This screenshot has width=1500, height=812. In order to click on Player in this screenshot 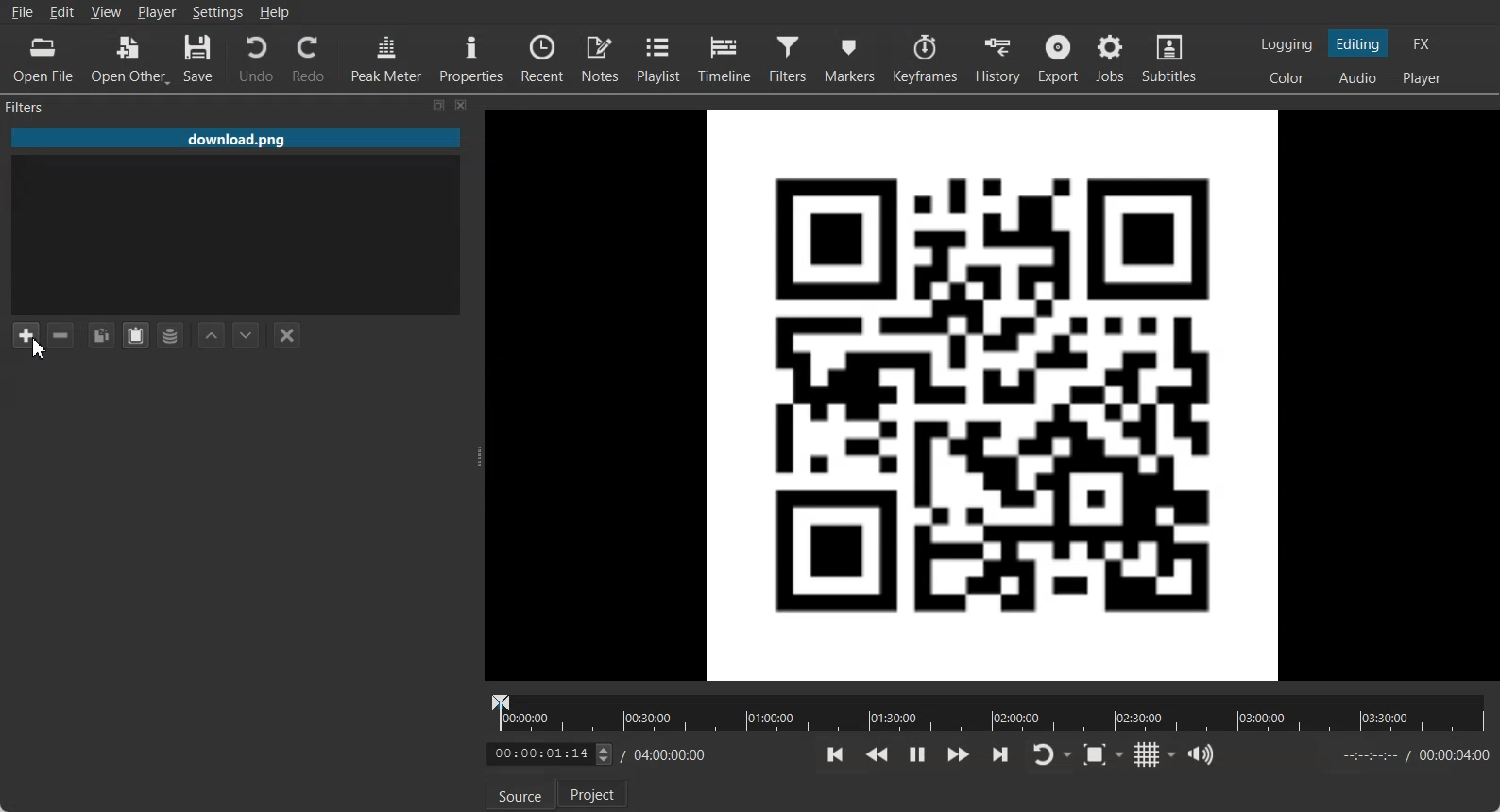, I will do `click(158, 12)`.